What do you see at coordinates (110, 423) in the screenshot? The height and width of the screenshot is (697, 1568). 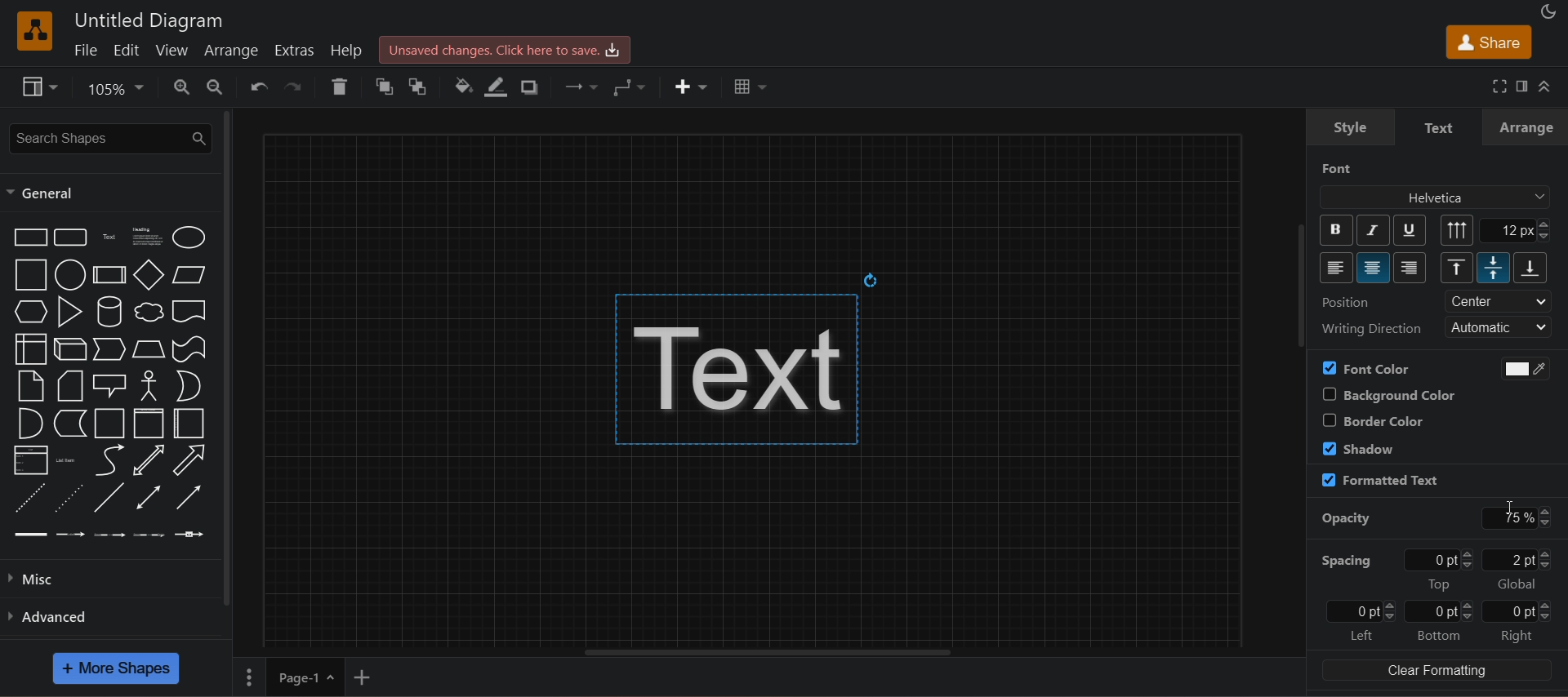 I see `container` at bounding box center [110, 423].